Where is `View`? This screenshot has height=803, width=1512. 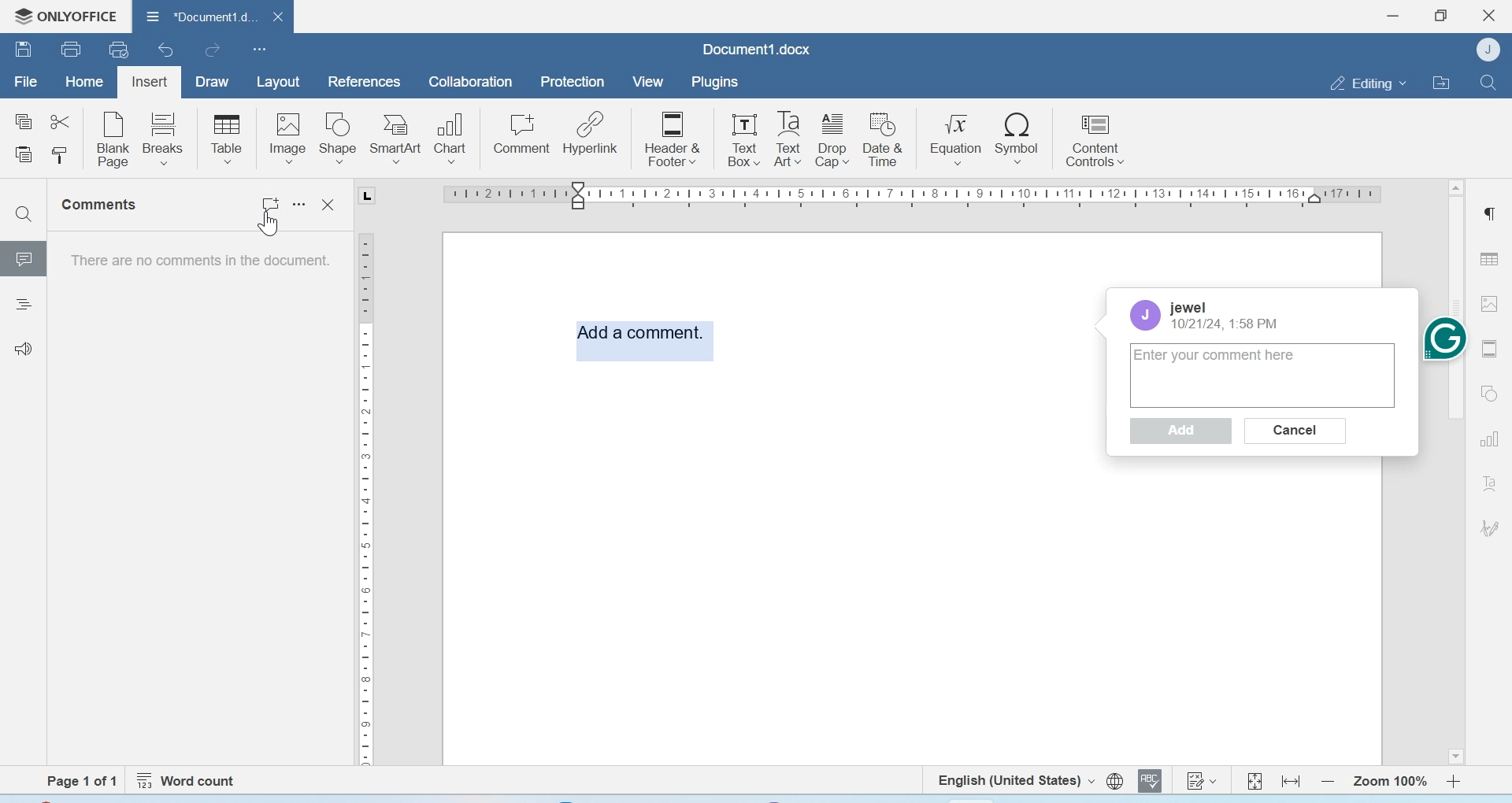 View is located at coordinates (647, 83).